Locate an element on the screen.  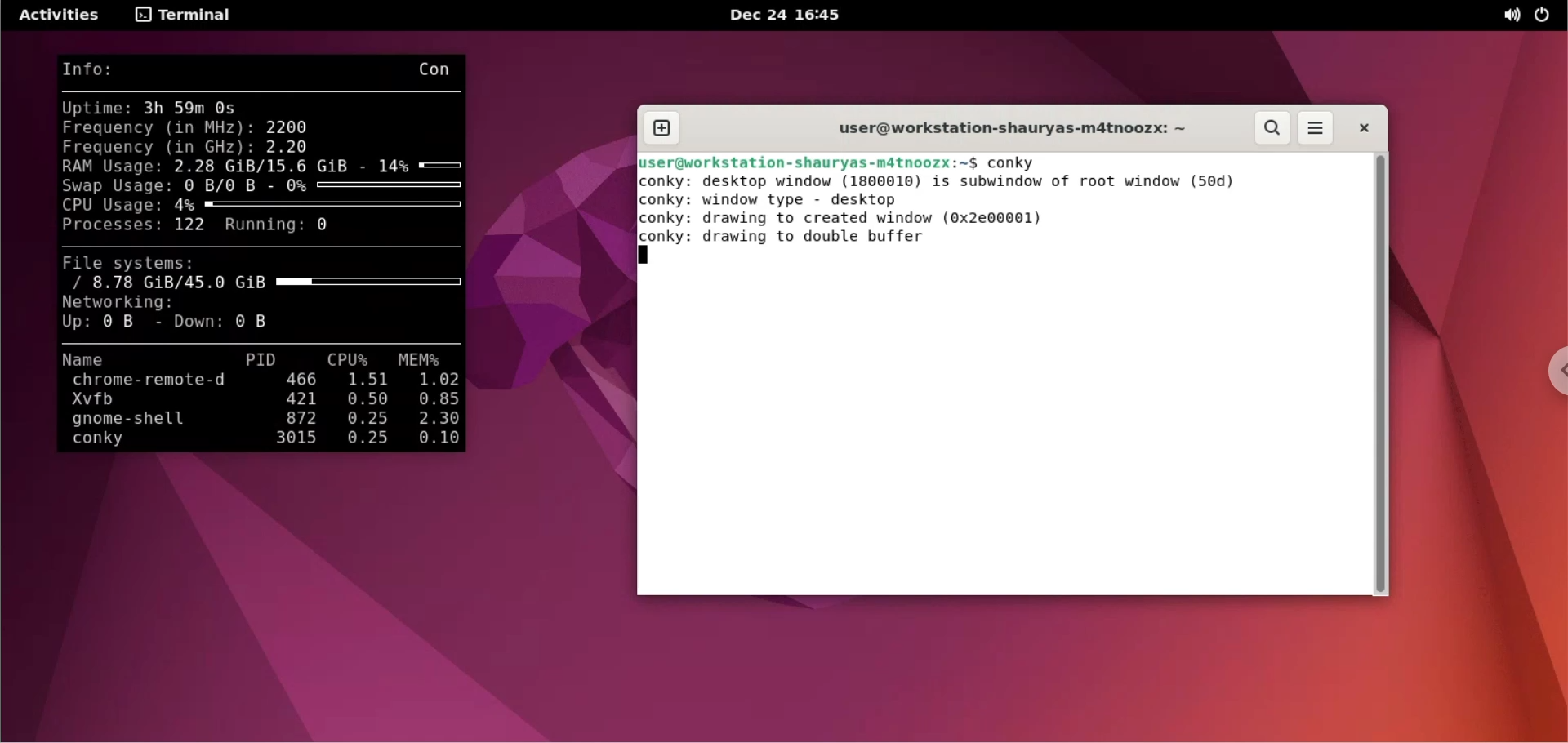
swap usage: is located at coordinates (115, 188).